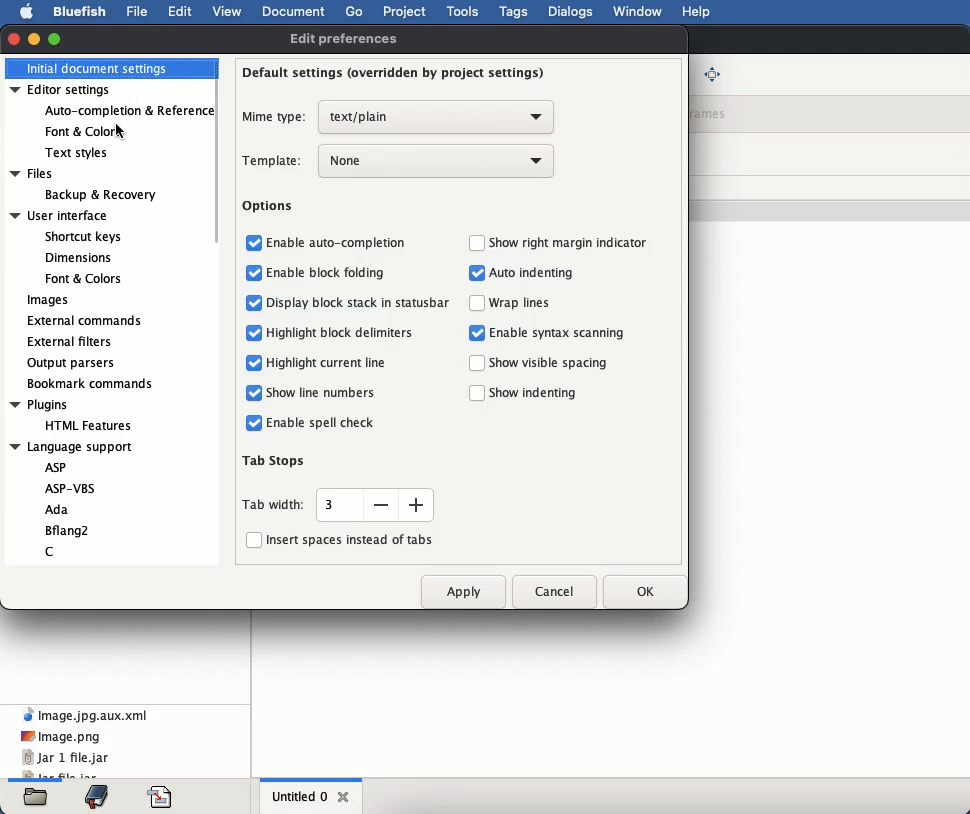  I want to click on document, so click(295, 14).